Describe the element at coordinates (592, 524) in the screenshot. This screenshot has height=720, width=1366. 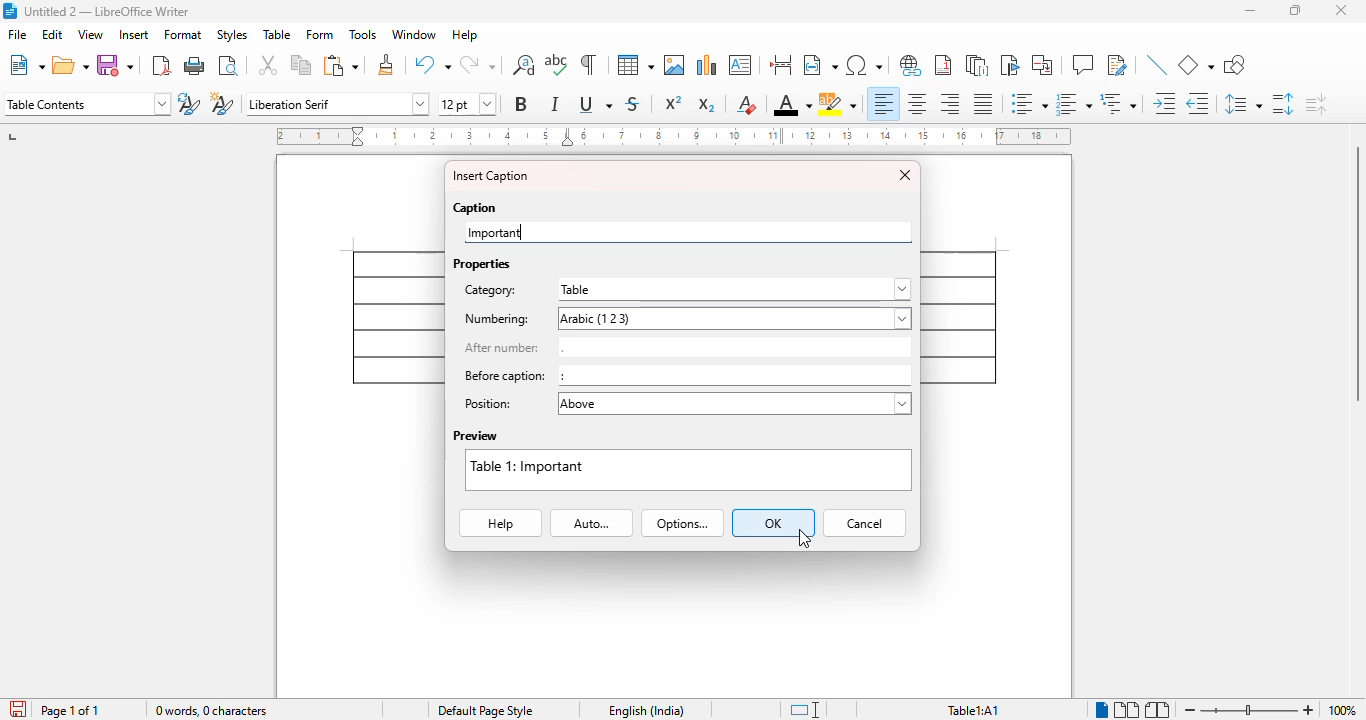
I see `auto` at that location.